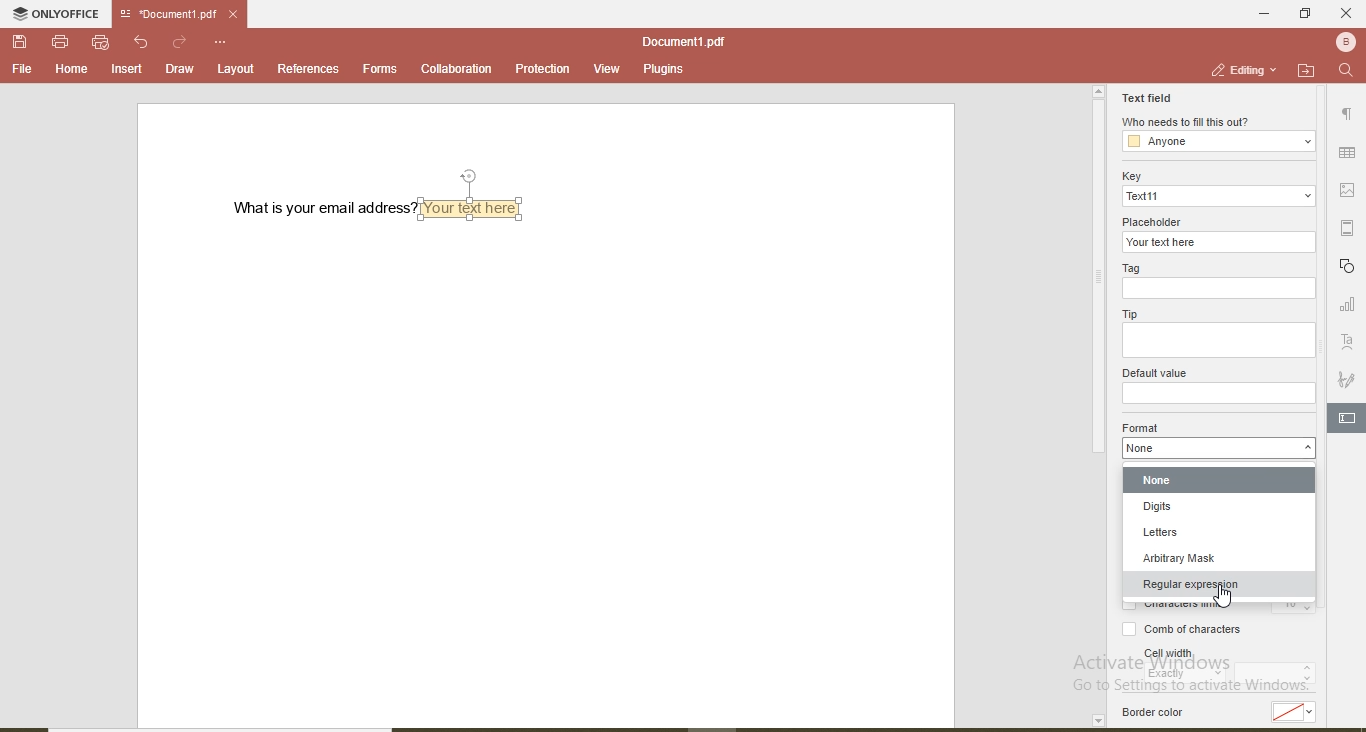 The width and height of the screenshot is (1366, 732). I want to click on open file location, so click(1306, 70).